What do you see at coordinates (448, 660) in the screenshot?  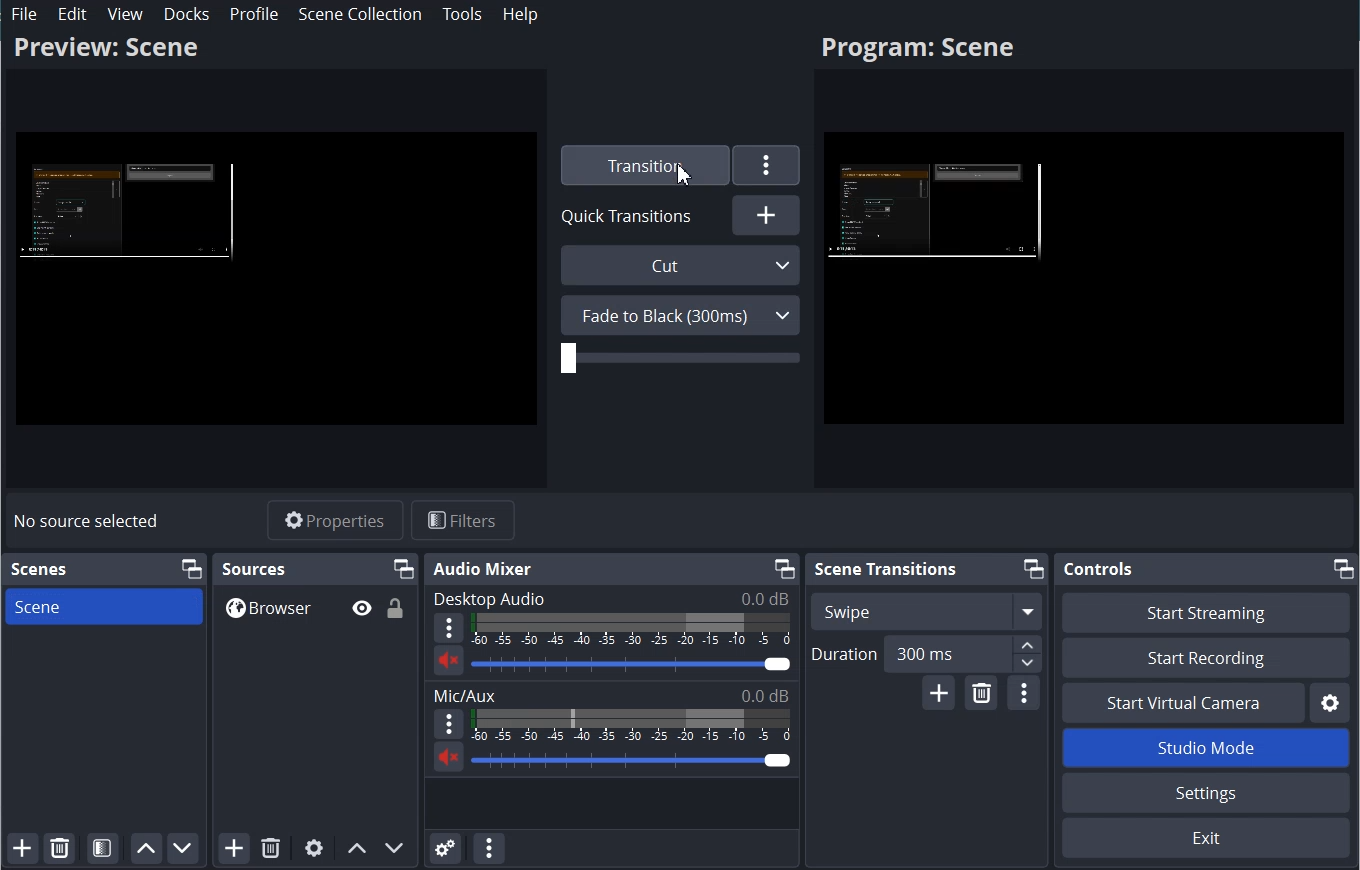 I see `Sound` at bounding box center [448, 660].